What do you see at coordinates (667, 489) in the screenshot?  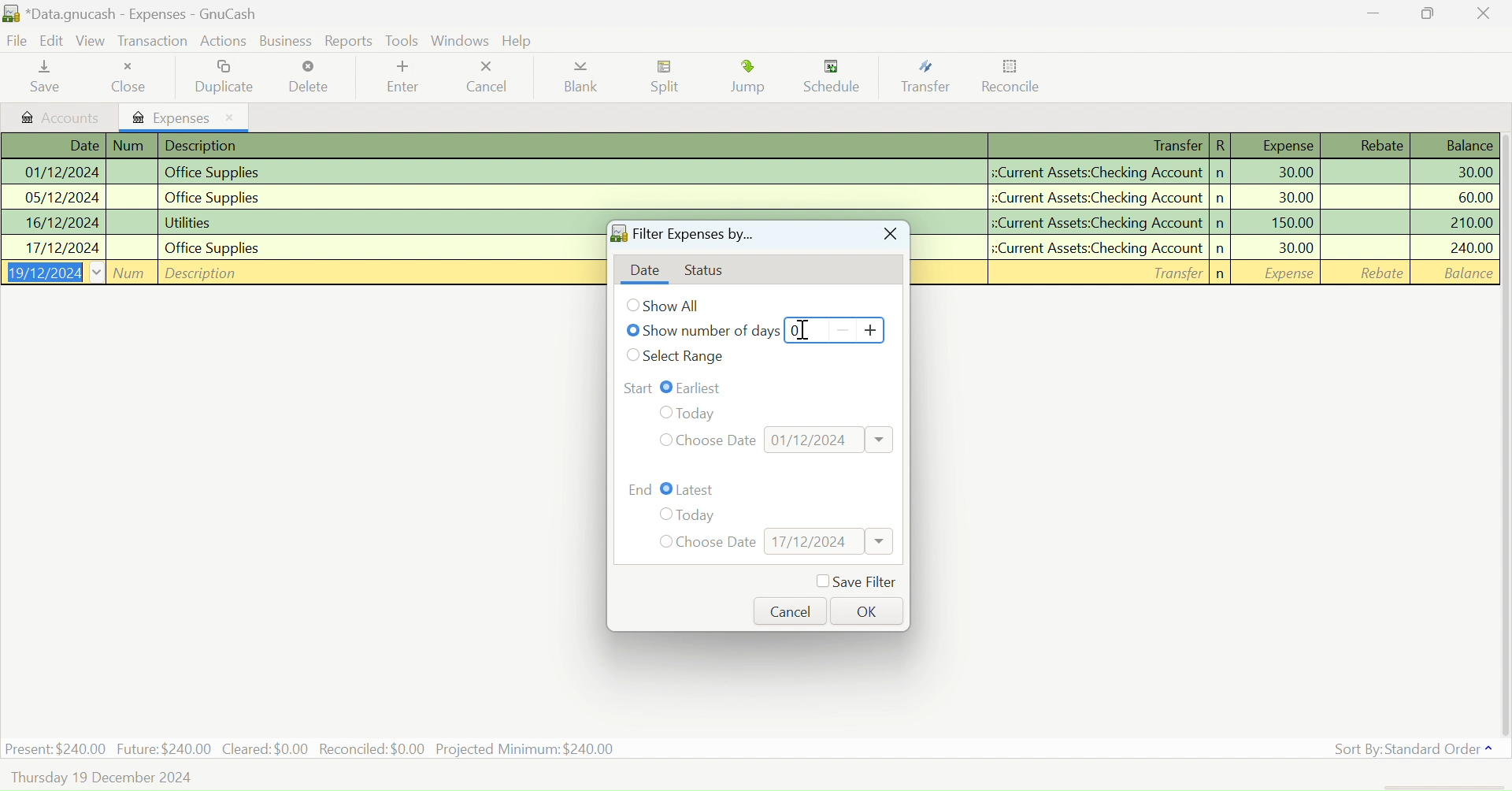 I see `Checkbox` at bounding box center [667, 489].